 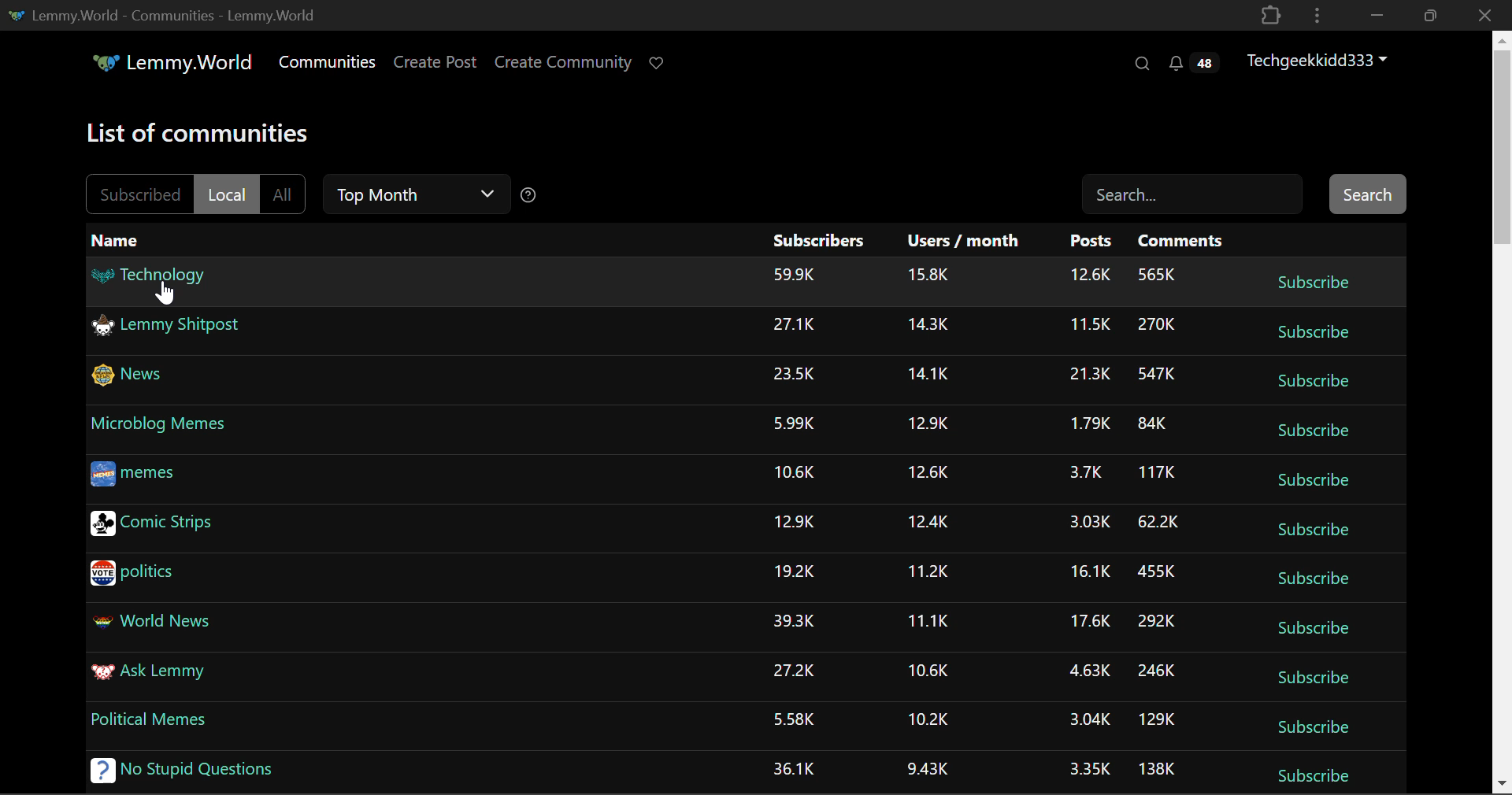 What do you see at coordinates (178, 774) in the screenshot?
I see `No Stupid Questions Community Link` at bounding box center [178, 774].